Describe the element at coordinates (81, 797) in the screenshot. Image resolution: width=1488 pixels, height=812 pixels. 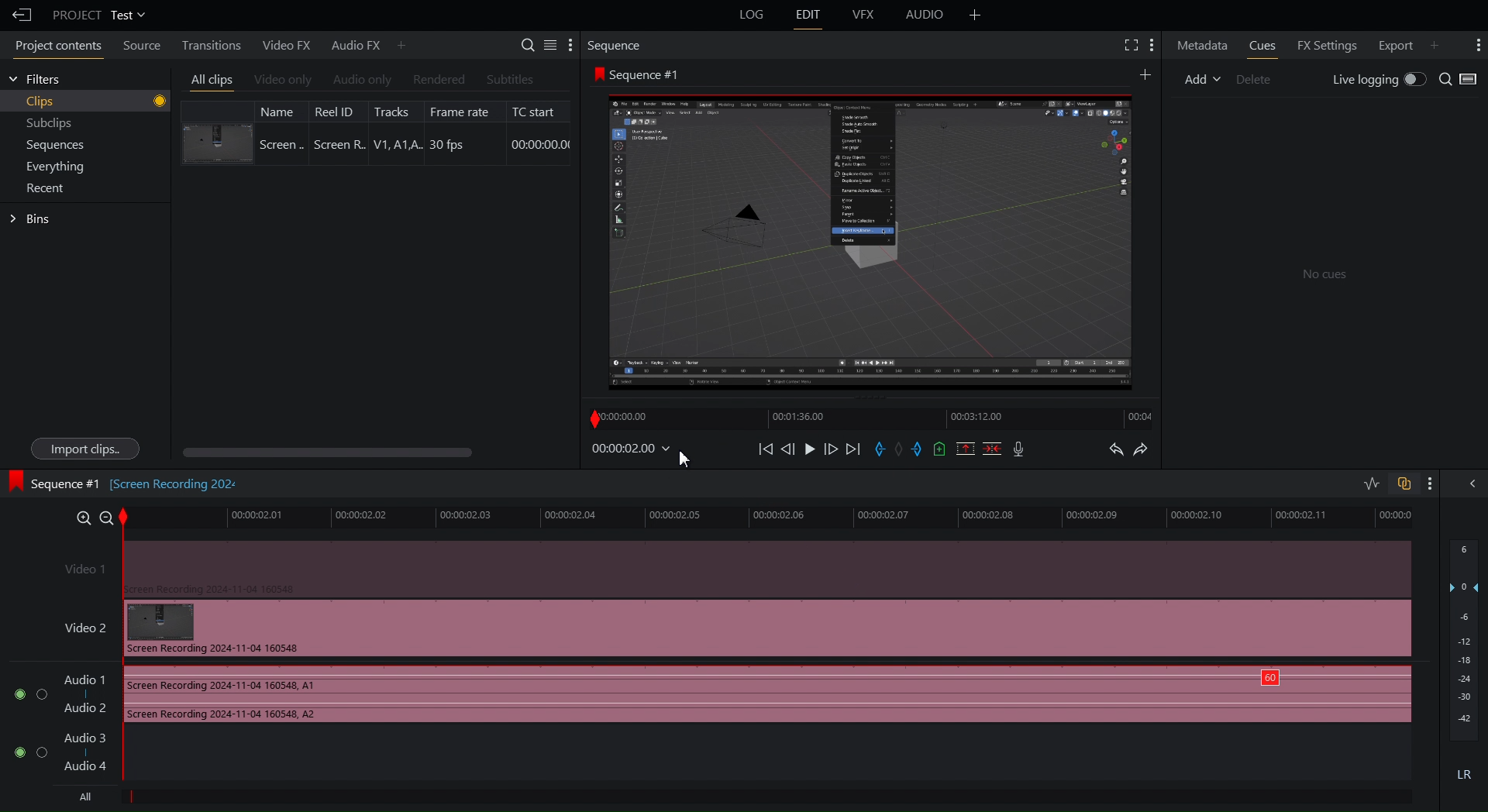
I see `All` at that location.